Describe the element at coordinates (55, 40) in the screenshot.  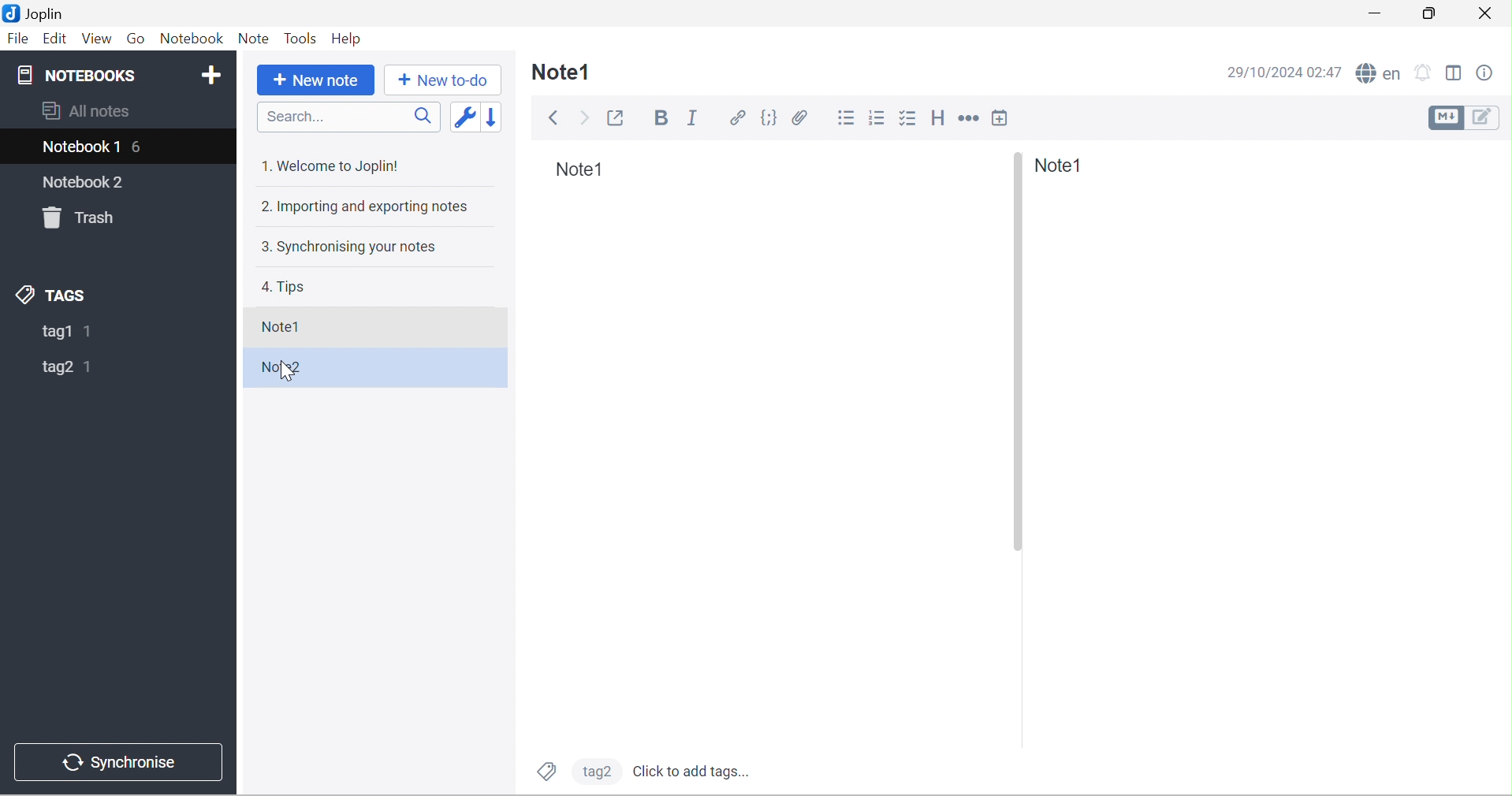
I see `Edit` at that location.